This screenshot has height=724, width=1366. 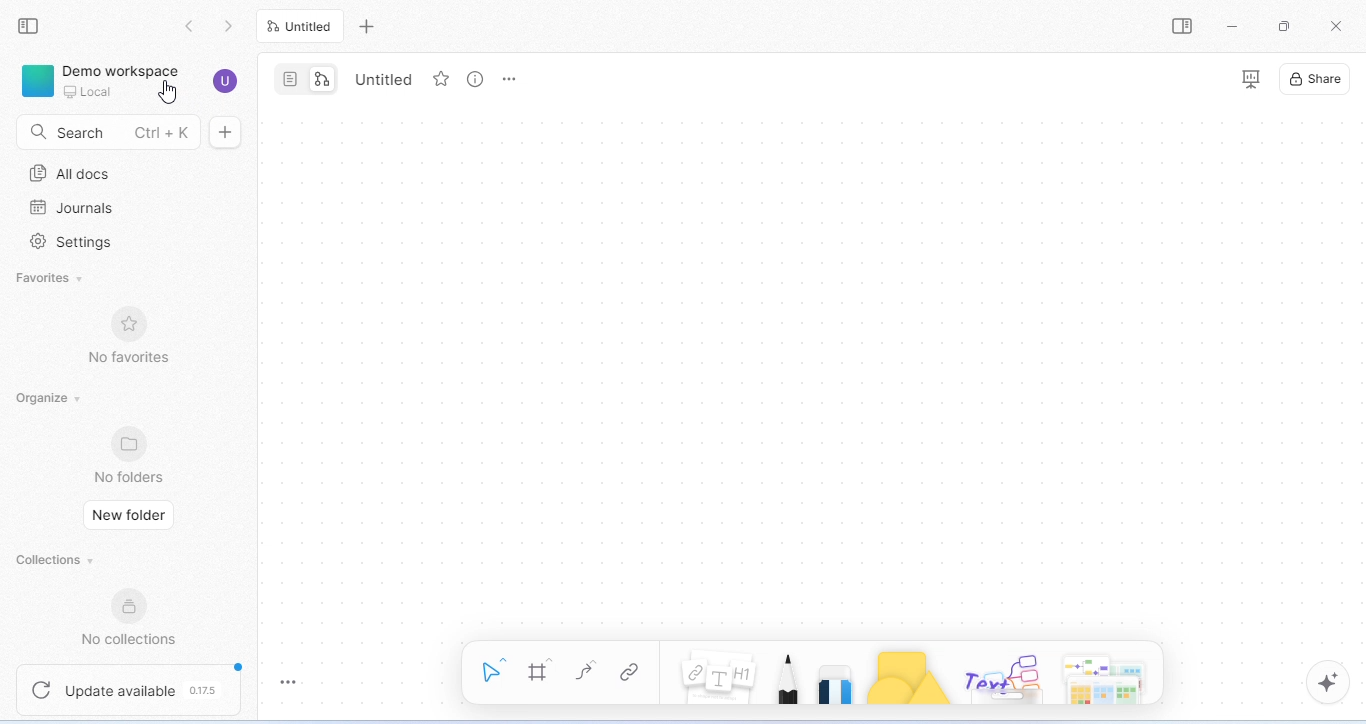 What do you see at coordinates (369, 27) in the screenshot?
I see `add new tab` at bounding box center [369, 27].